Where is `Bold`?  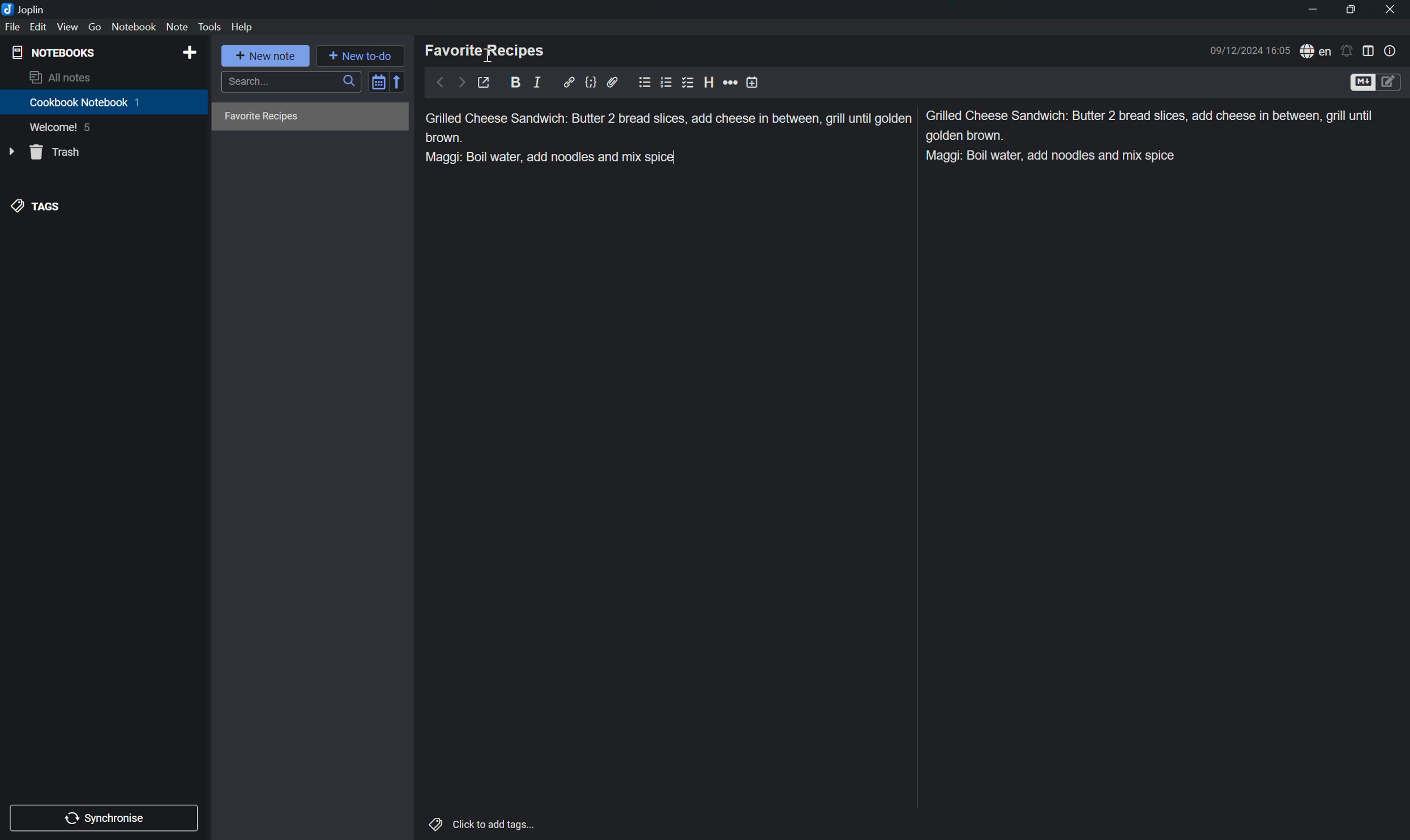 Bold is located at coordinates (518, 80).